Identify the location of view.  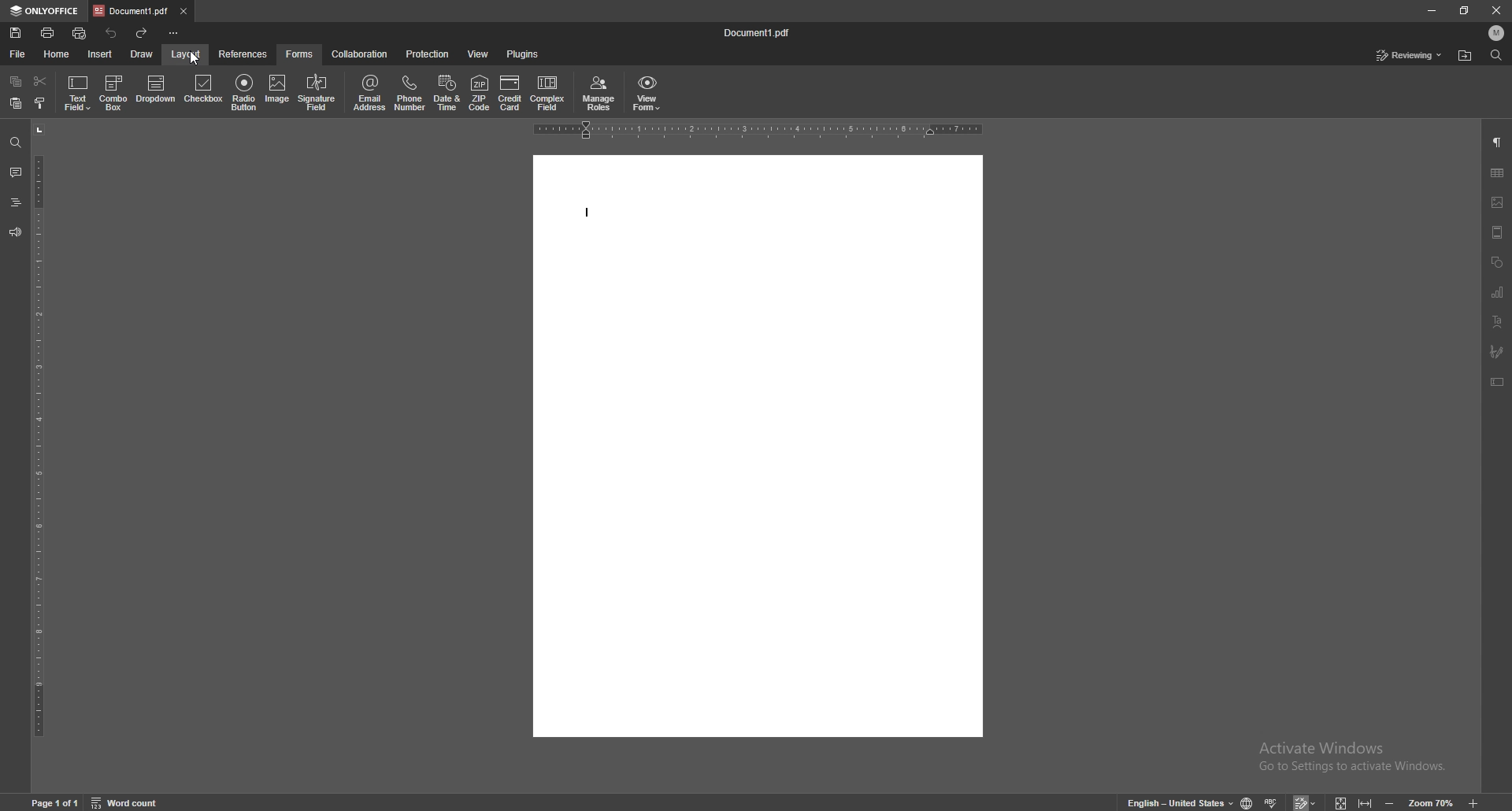
(478, 54).